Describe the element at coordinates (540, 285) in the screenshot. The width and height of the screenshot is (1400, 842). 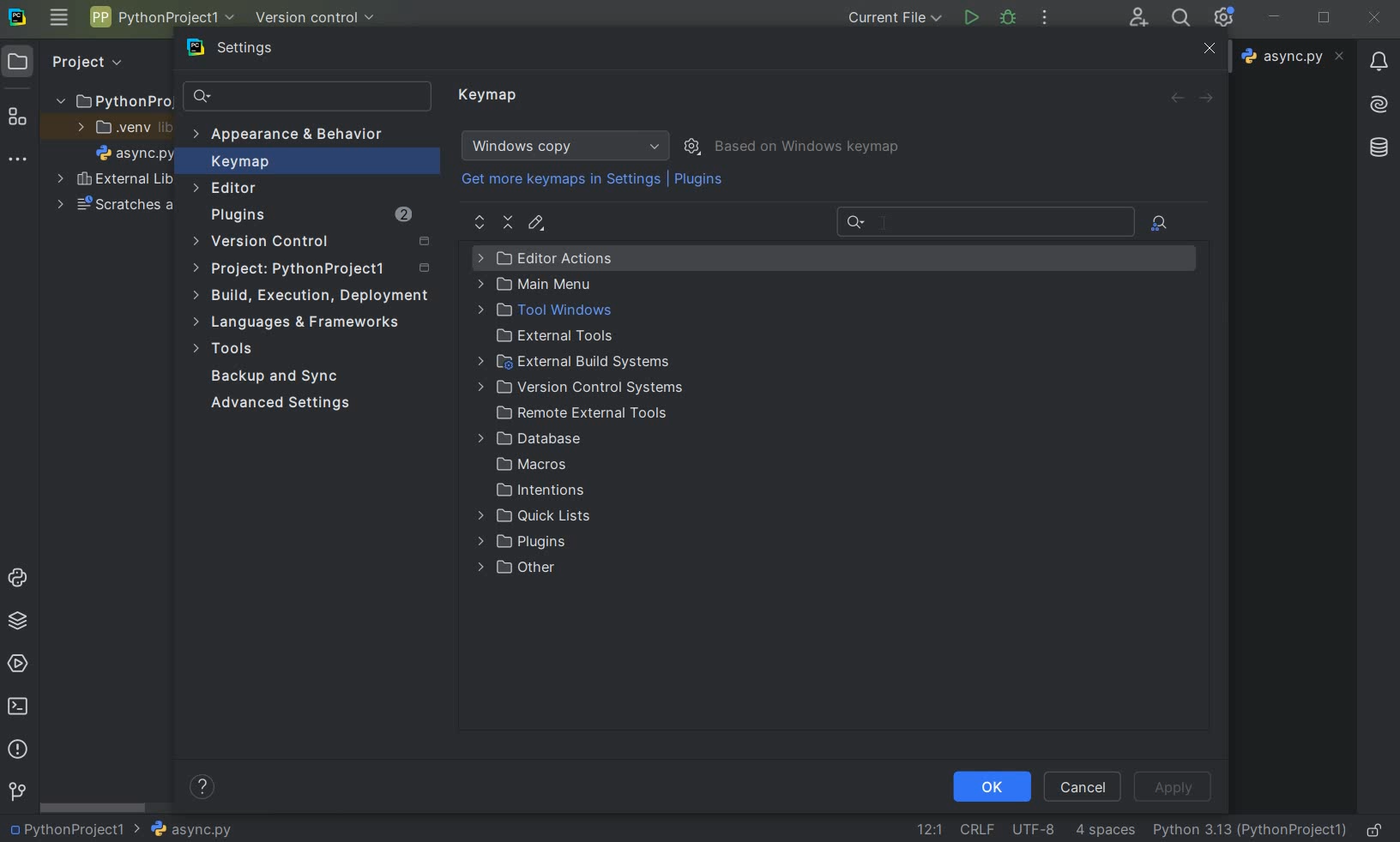
I see `main menu` at that location.